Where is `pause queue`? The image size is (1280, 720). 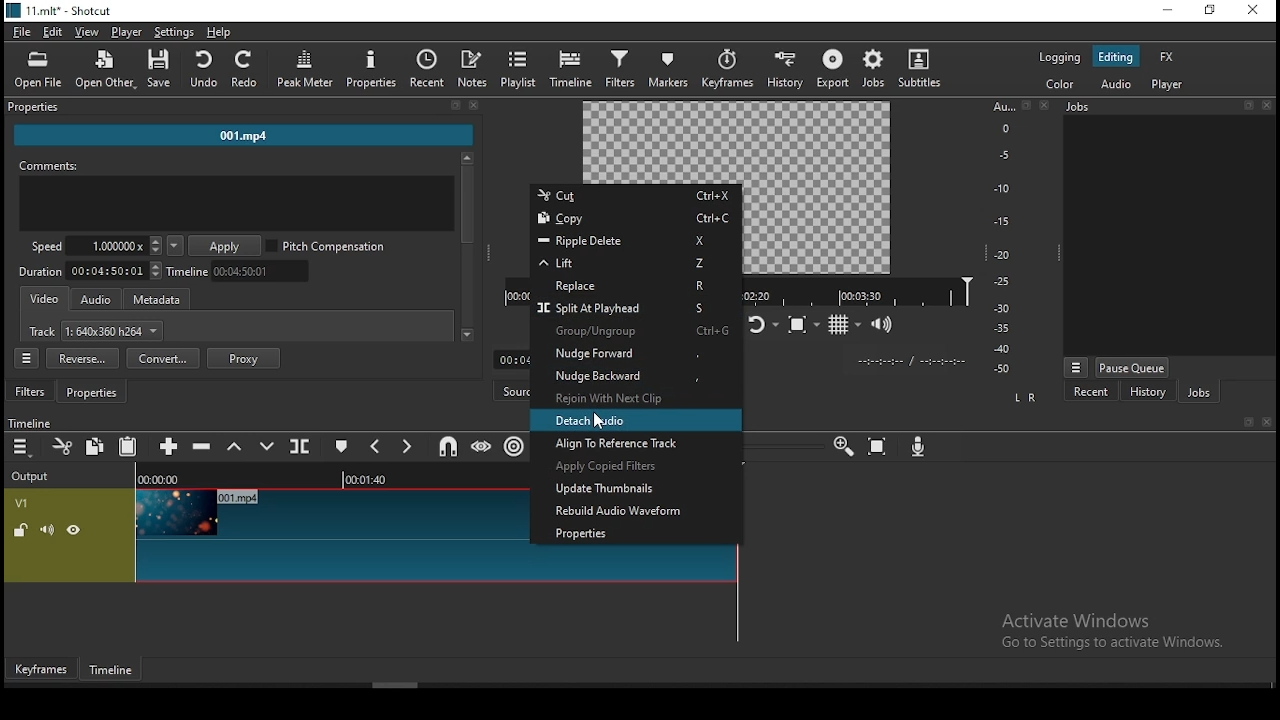 pause queue is located at coordinates (1132, 368).